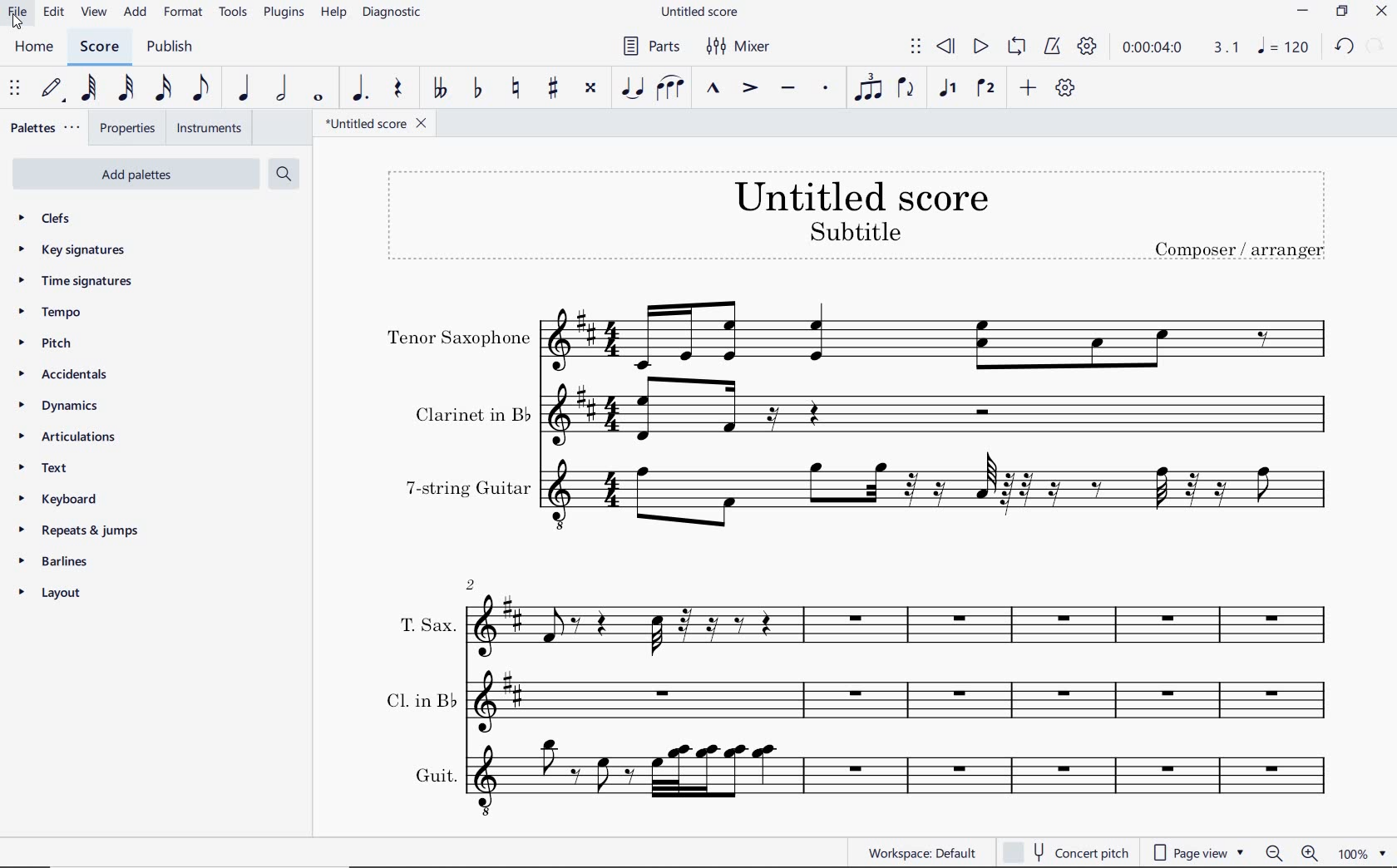 The height and width of the screenshot is (868, 1397). What do you see at coordinates (244, 89) in the screenshot?
I see `QUARTER NOTE` at bounding box center [244, 89].